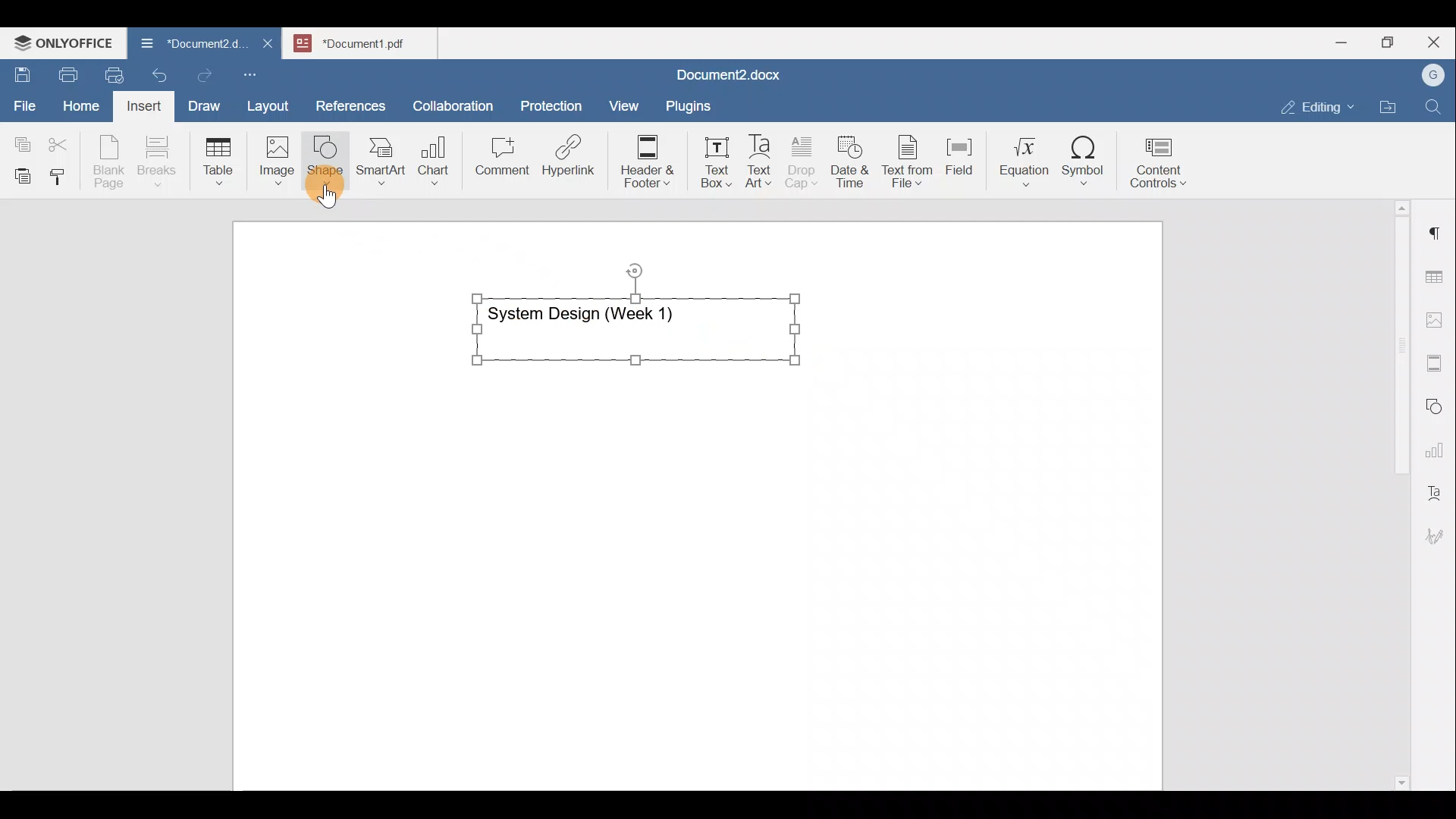 Image resolution: width=1456 pixels, height=819 pixels. I want to click on Image settings, so click(1437, 318).